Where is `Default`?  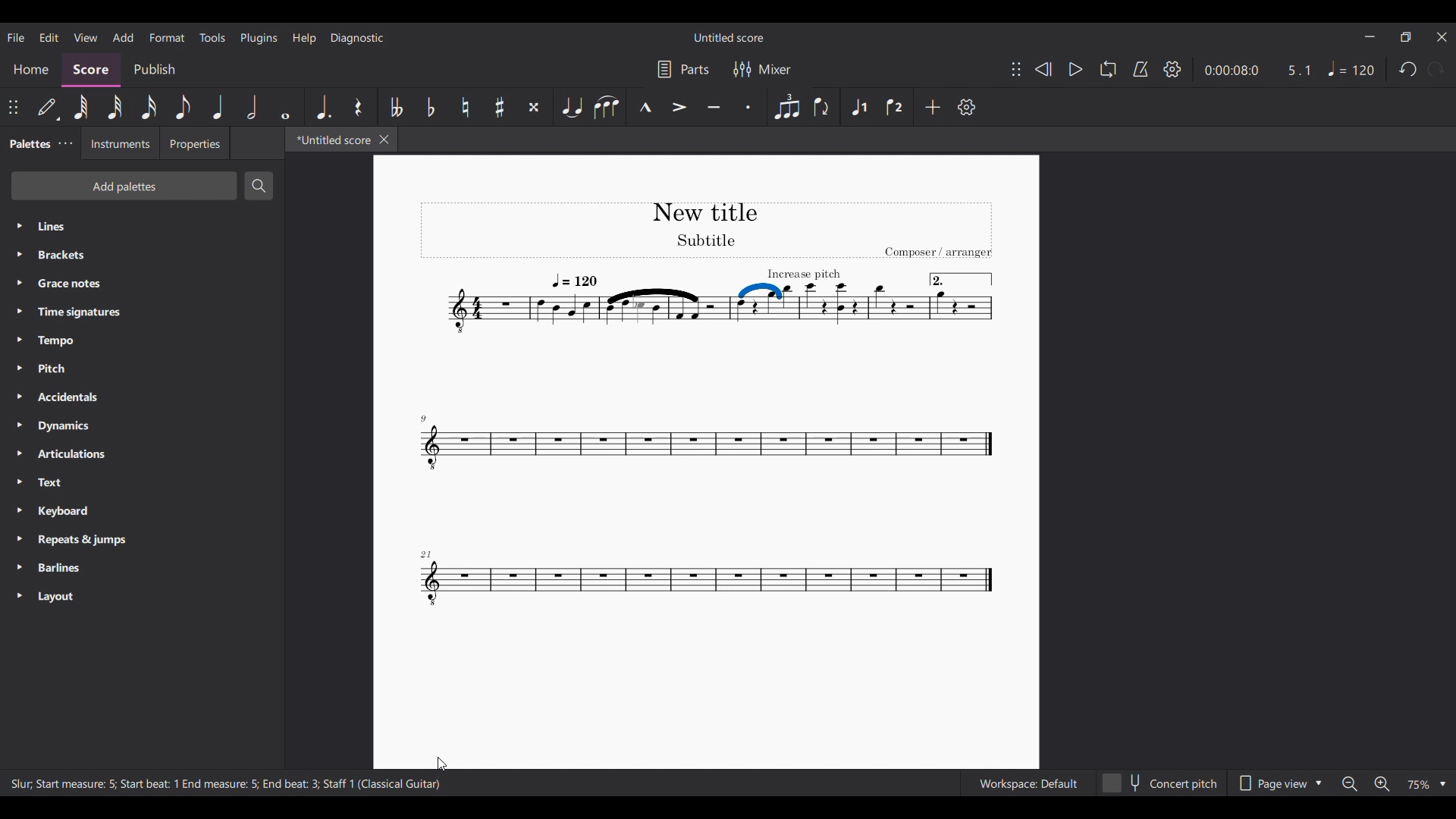 Default is located at coordinates (49, 108).